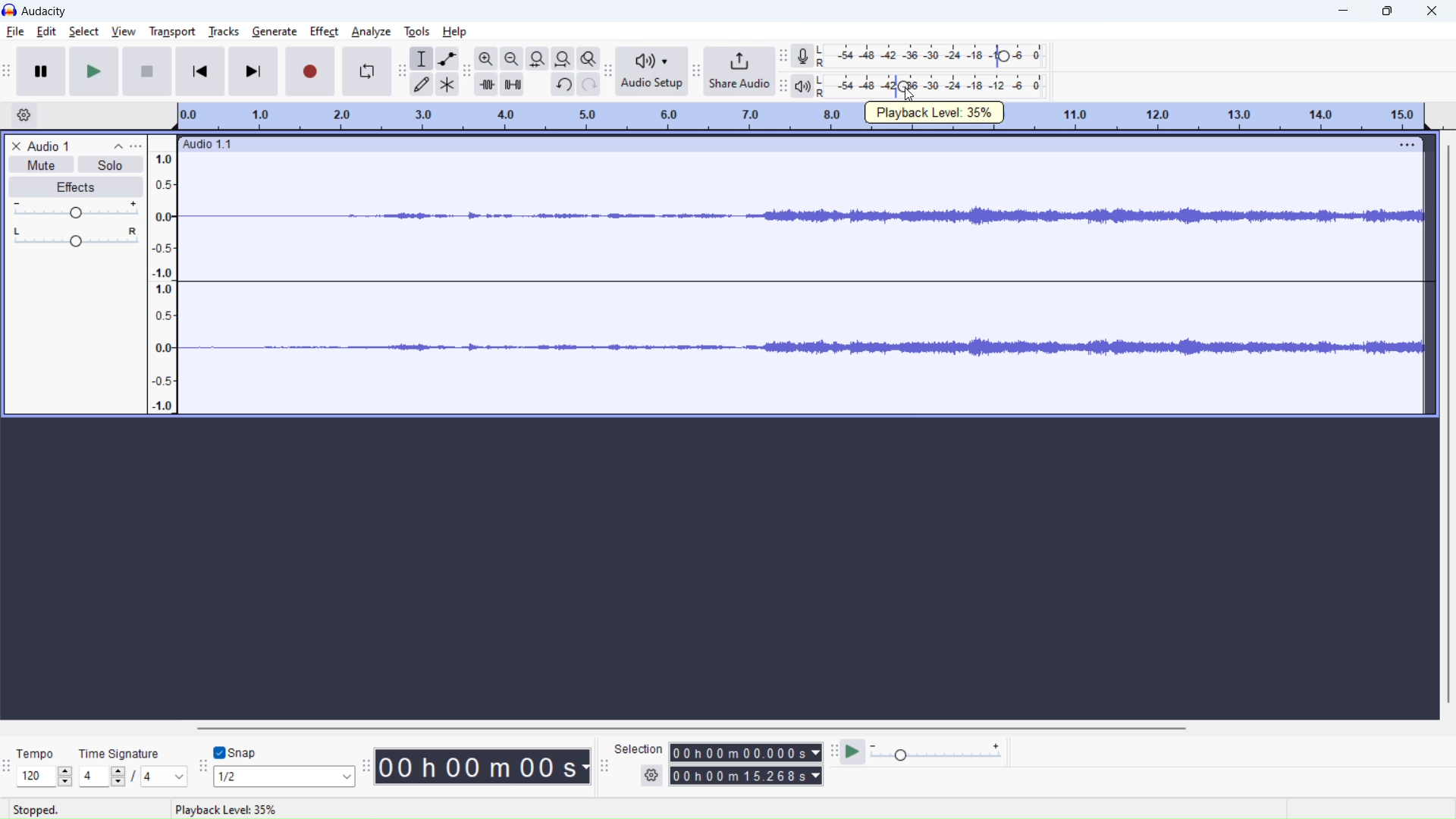 Image resolution: width=1456 pixels, height=819 pixels. I want to click on transport, so click(173, 32).